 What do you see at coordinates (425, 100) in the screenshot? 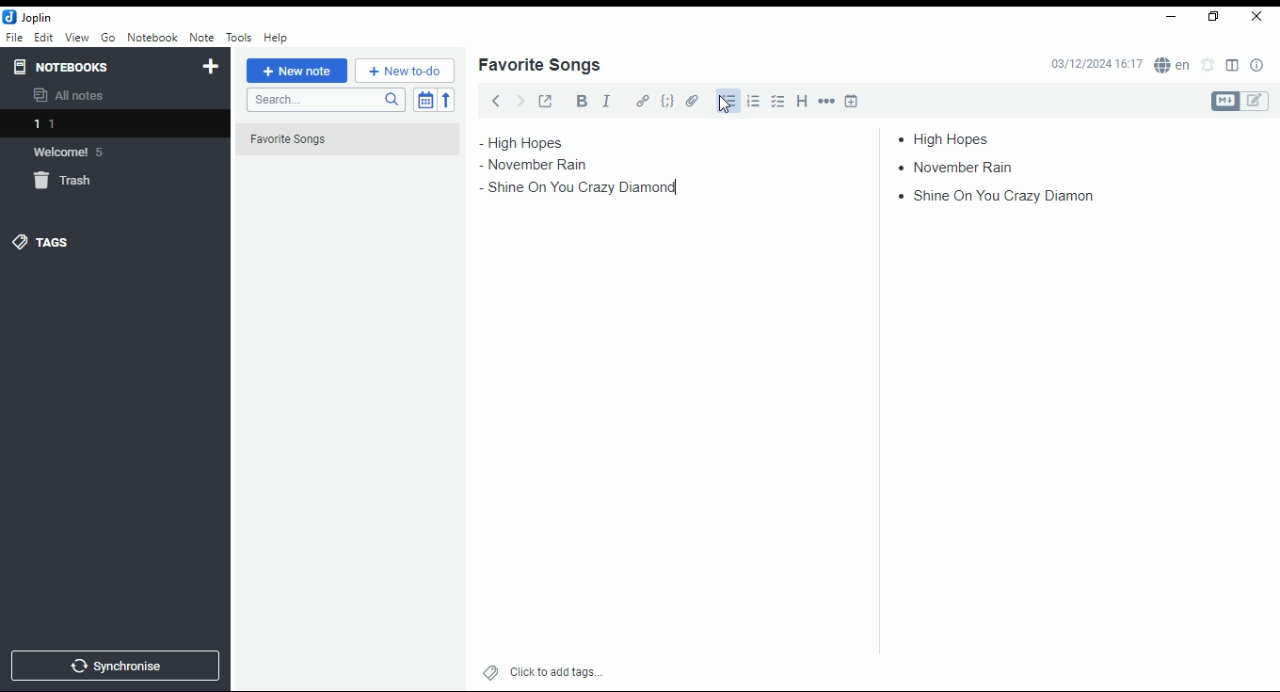
I see `toggle sort order field` at bounding box center [425, 100].